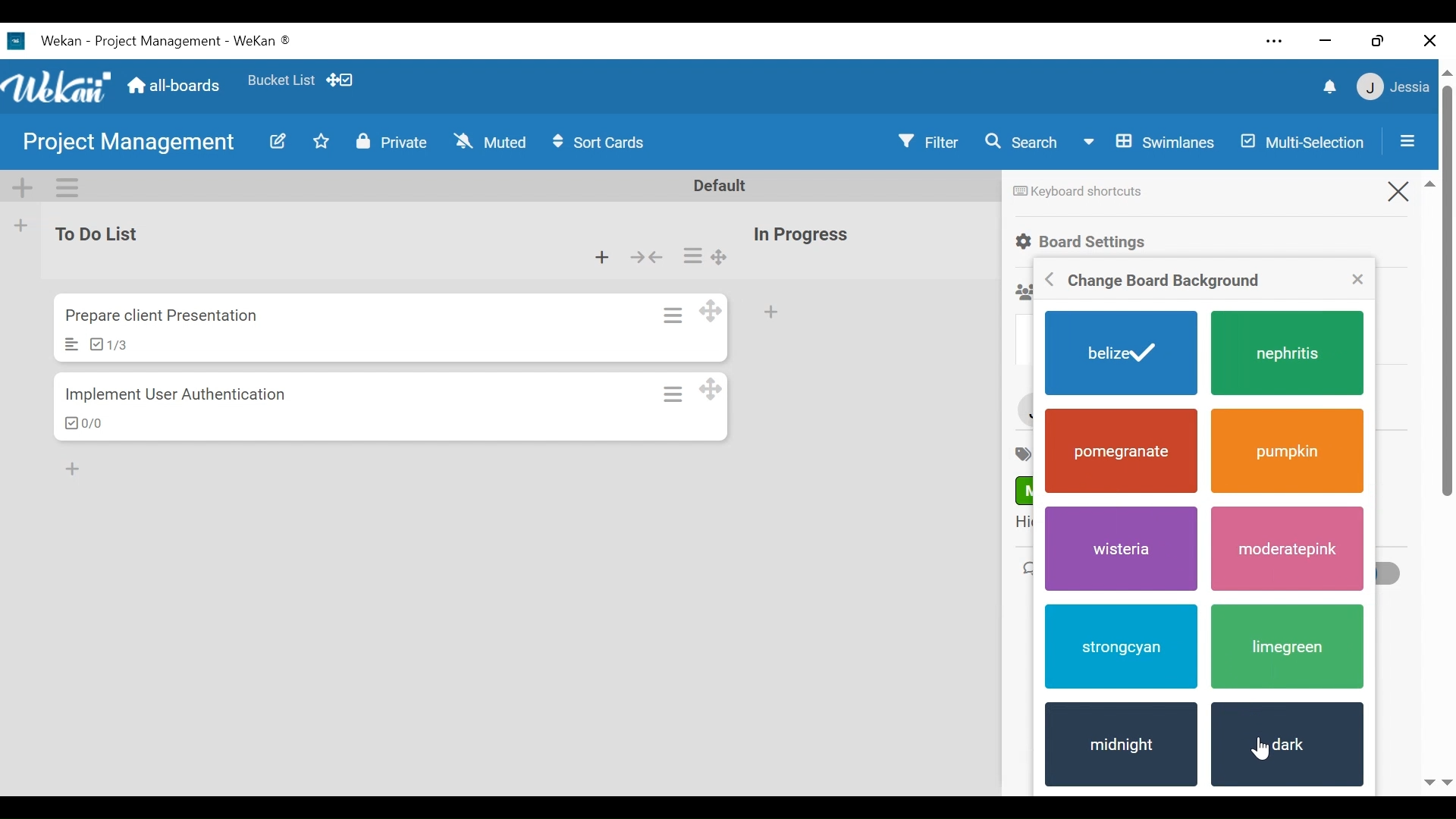 The image size is (1456, 819). Describe the element at coordinates (1096, 241) in the screenshot. I see `Board settings` at that location.